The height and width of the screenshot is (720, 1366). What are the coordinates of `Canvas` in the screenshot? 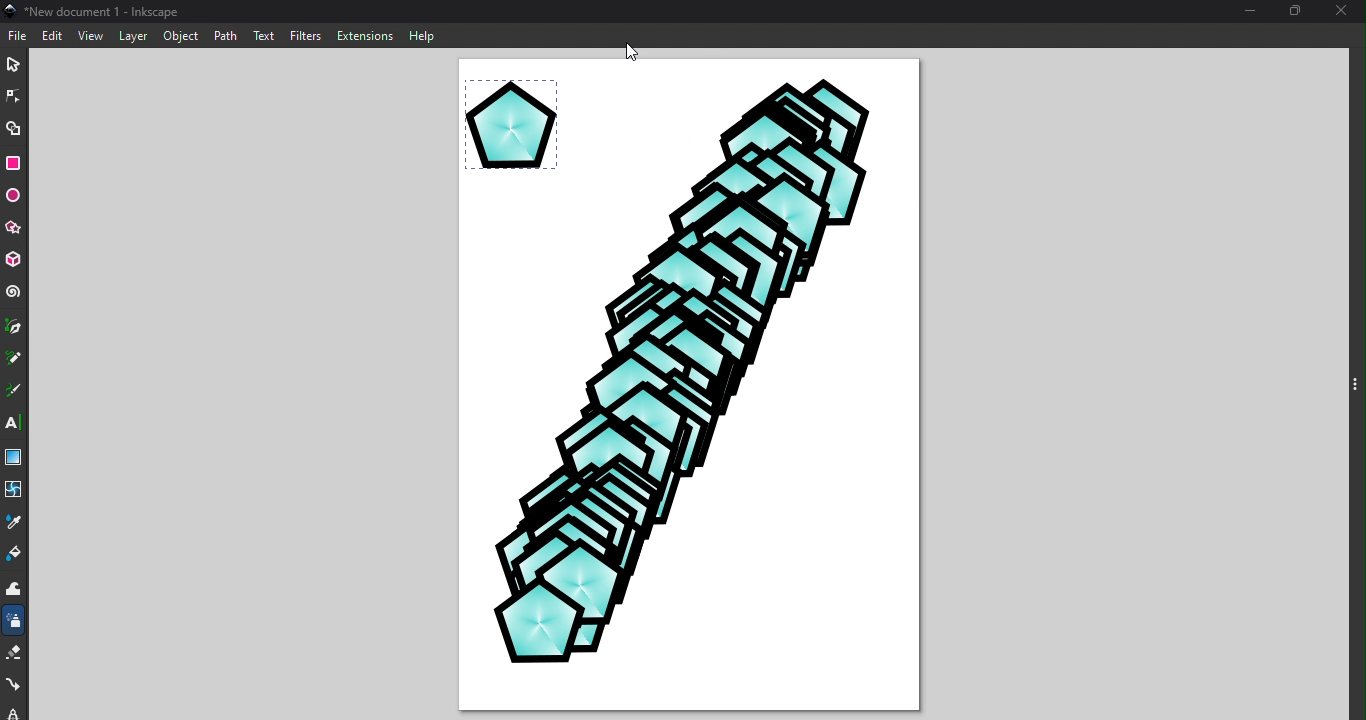 It's located at (689, 386).